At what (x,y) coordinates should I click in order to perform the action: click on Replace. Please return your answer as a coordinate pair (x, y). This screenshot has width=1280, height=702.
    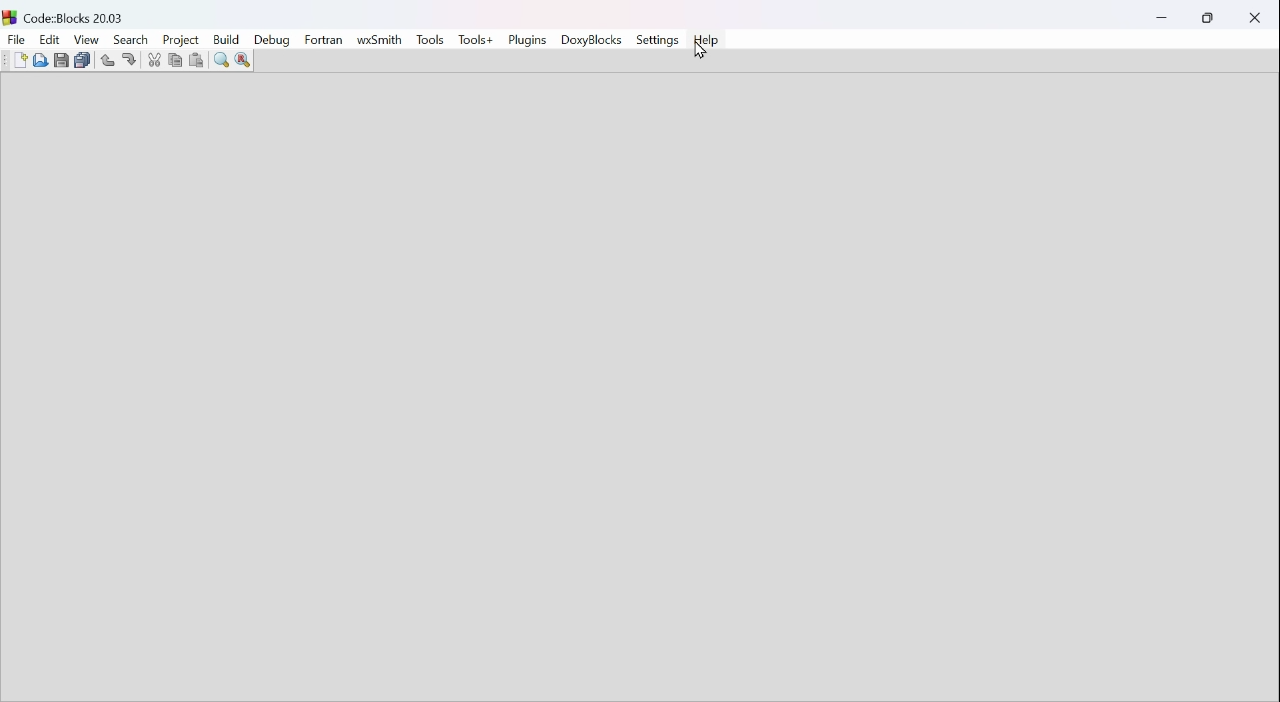
    Looking at the image, I should click on (247, 59).